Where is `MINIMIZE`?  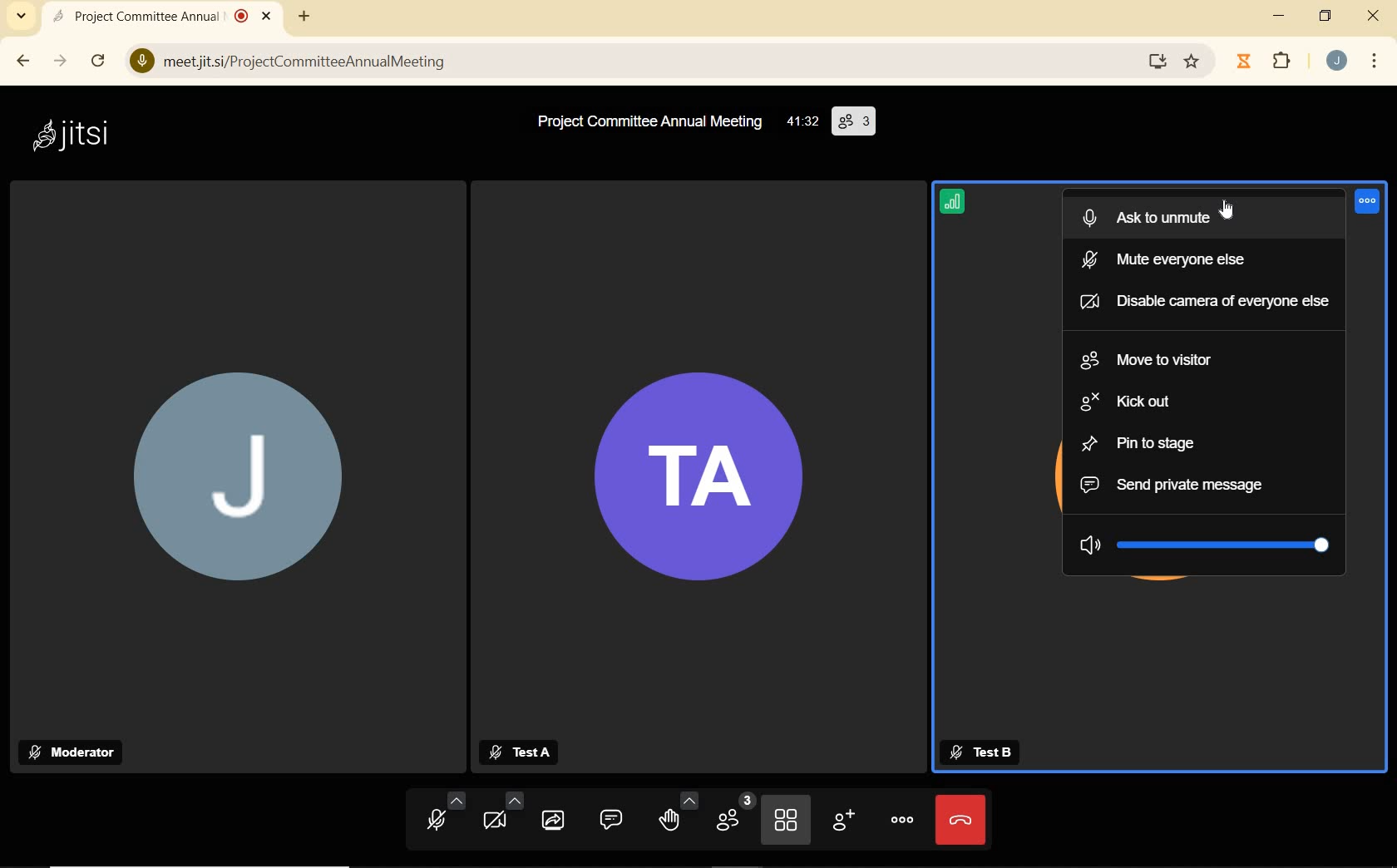
MINIMIZE is located at coordinates (1281, 16).